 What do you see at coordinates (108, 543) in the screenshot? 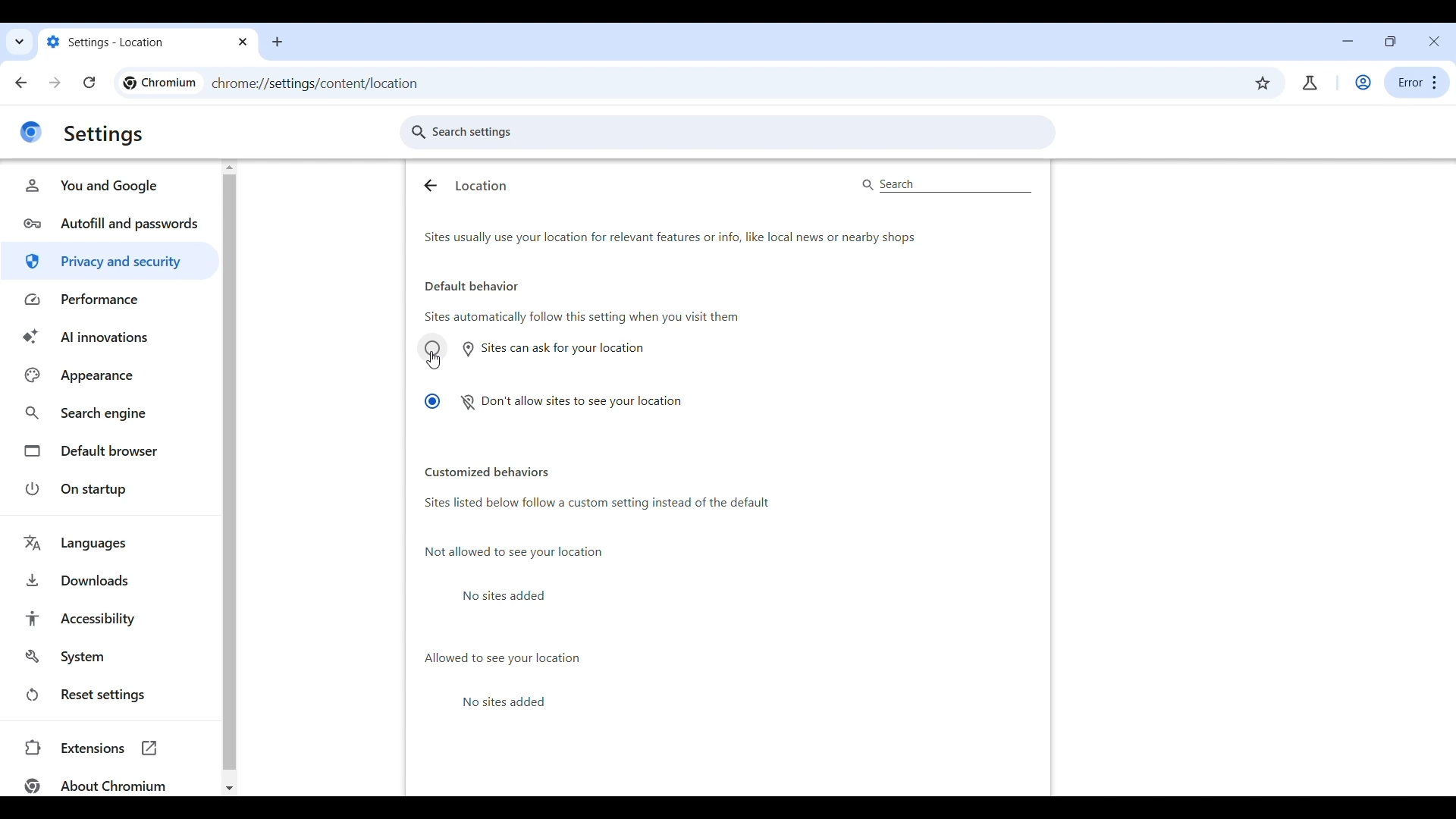
I see `Languages` at bounding box center [108, 543].